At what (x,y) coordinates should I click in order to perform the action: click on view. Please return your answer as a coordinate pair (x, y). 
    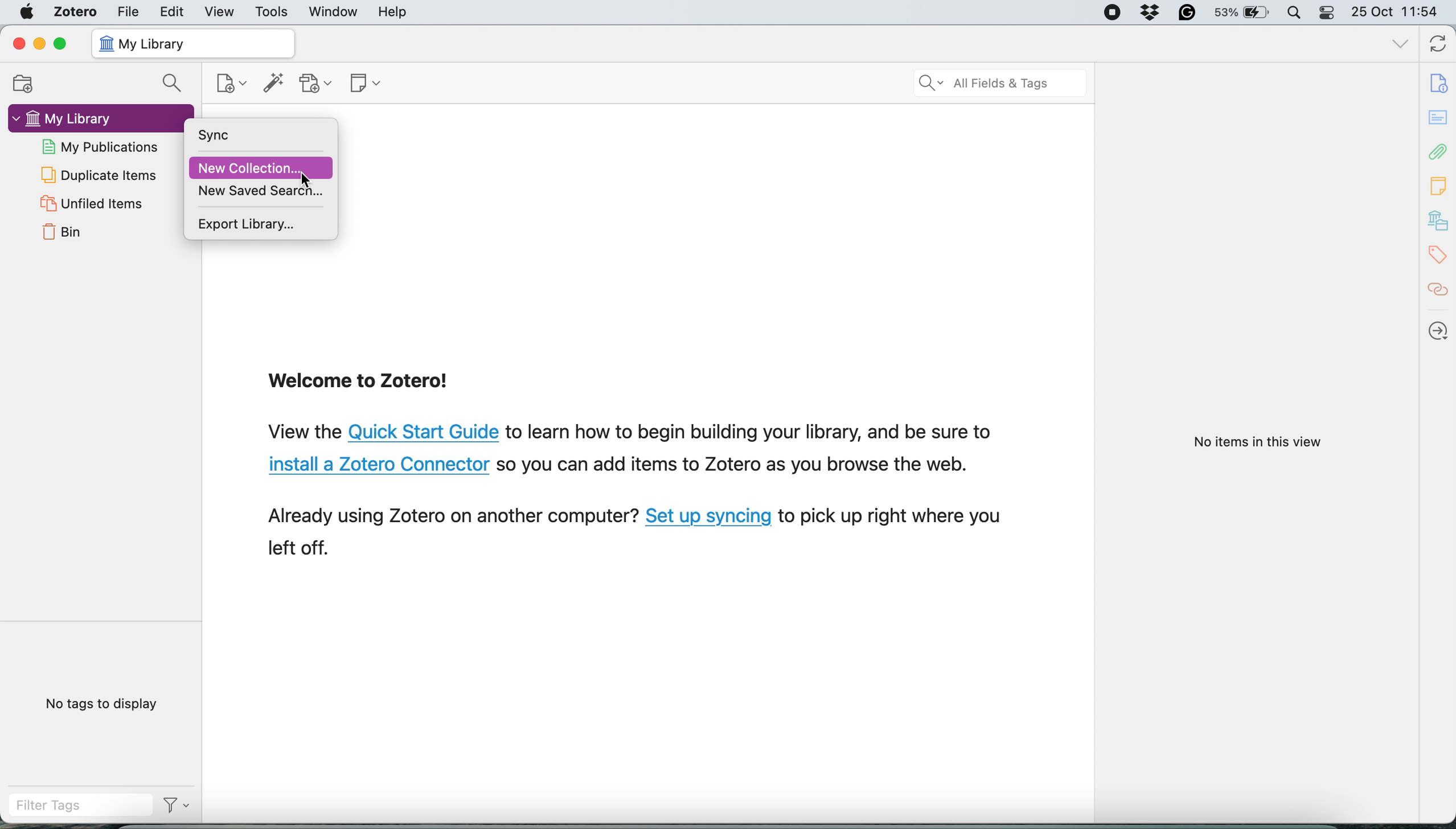
    Looking at the image, I should click on (214, 12).